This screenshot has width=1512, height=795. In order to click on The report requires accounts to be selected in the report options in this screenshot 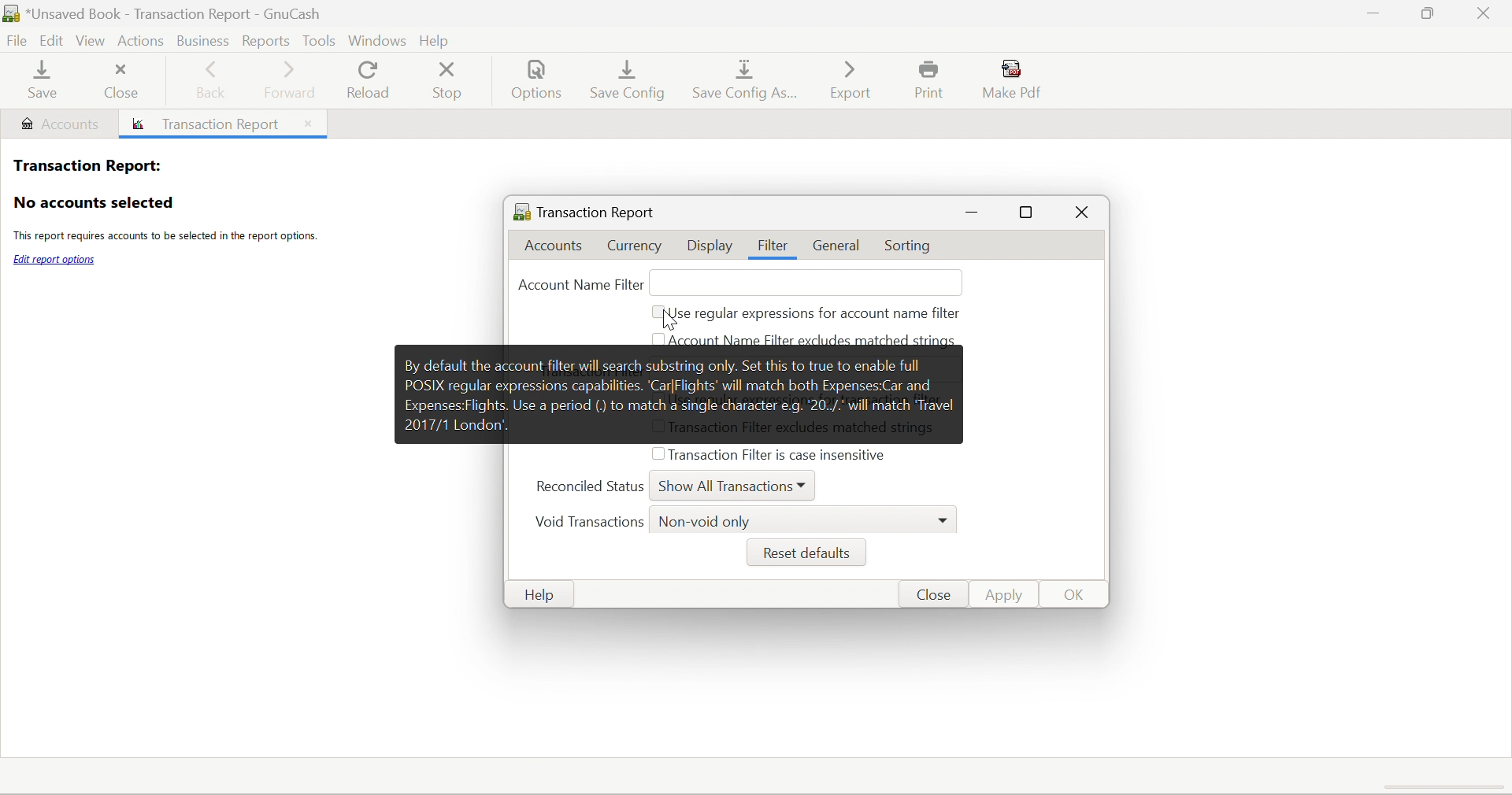, I will do `click(164, 238)`.